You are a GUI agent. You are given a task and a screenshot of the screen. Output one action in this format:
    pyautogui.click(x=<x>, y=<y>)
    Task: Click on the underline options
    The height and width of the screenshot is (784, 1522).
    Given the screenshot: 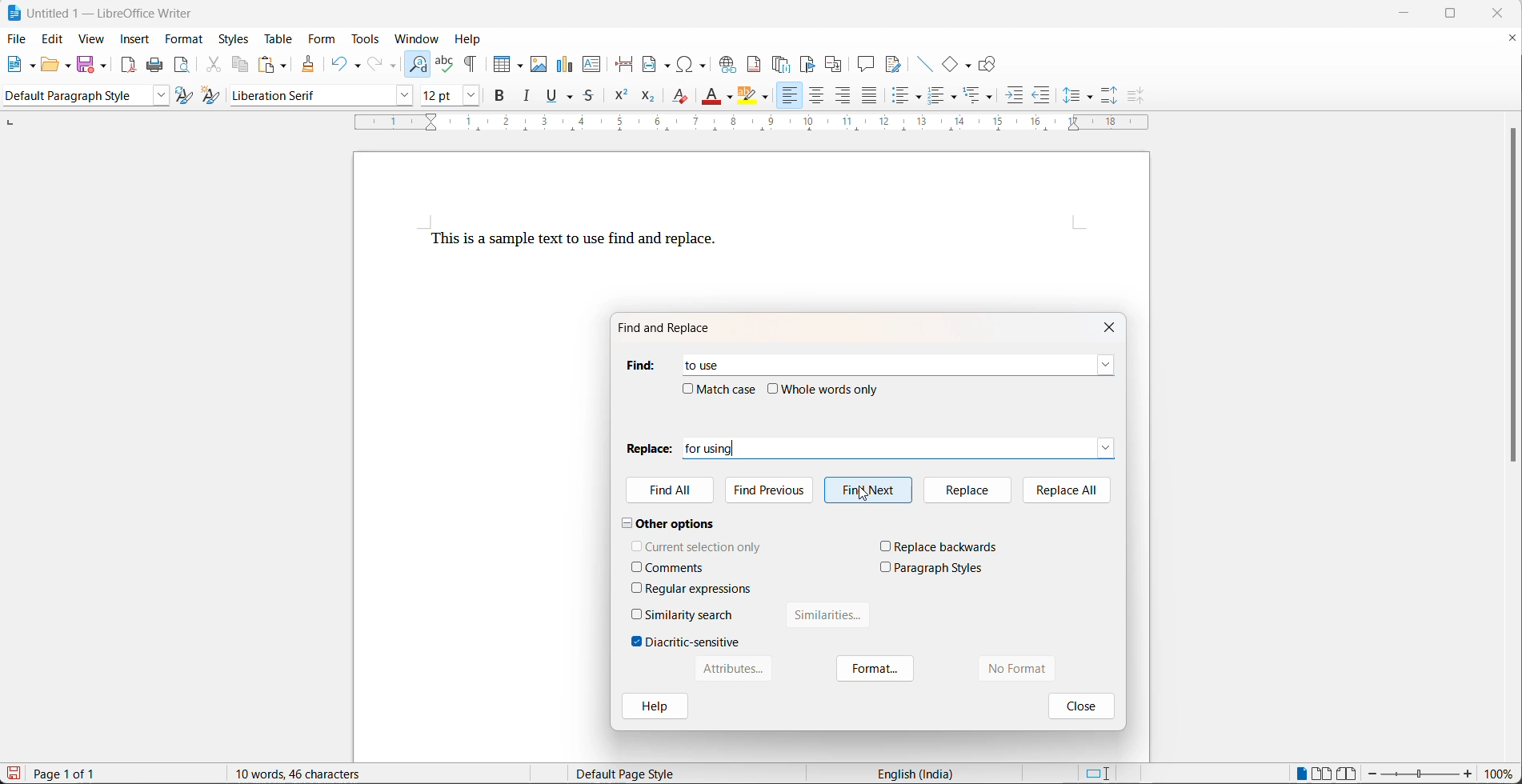 What is the action you would take?
    pyautogui.click(x=571, y=98)
    